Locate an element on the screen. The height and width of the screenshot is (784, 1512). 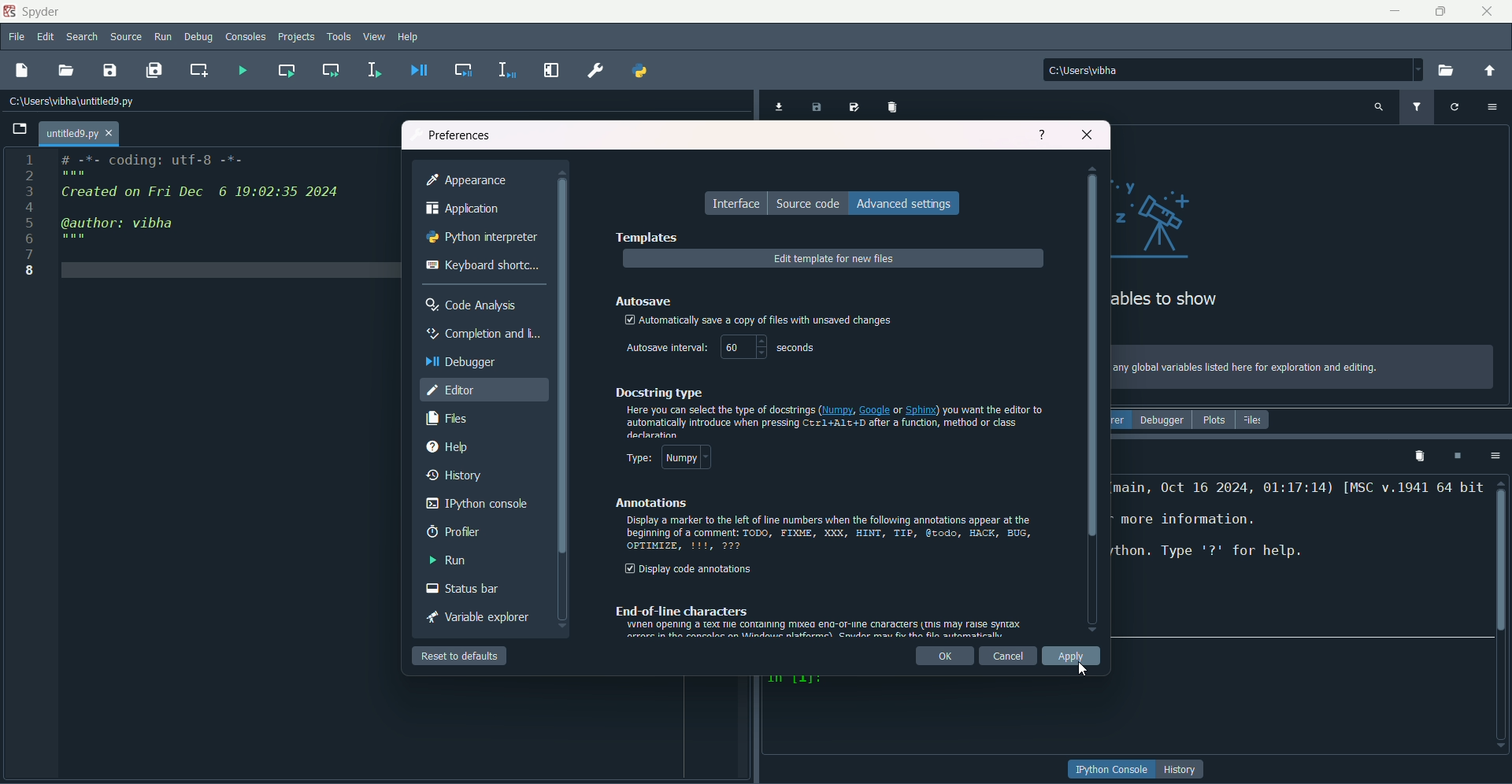
view is located at coordinates (376, 36).